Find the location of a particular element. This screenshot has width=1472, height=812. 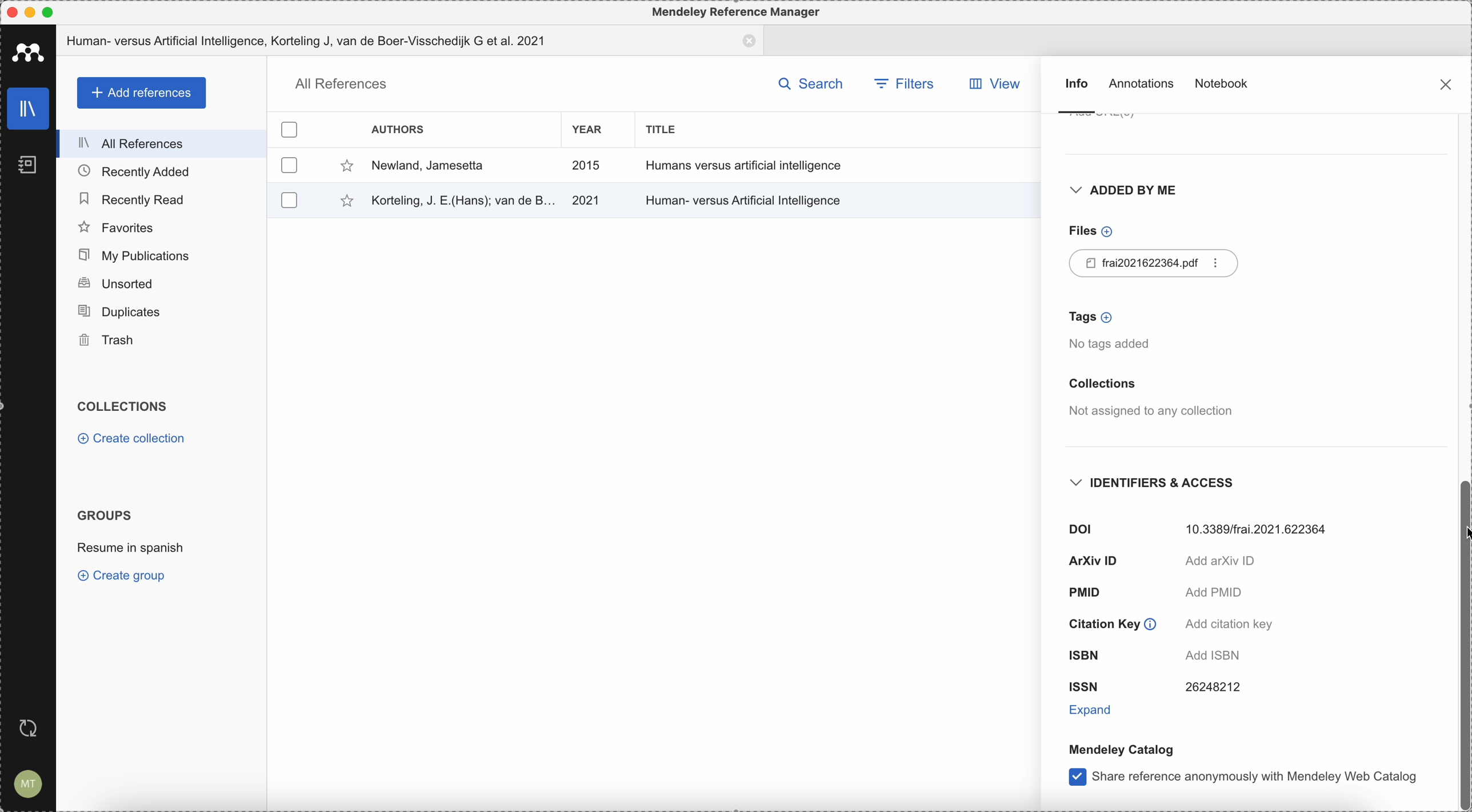

collections is located at coordinates (127, 407).